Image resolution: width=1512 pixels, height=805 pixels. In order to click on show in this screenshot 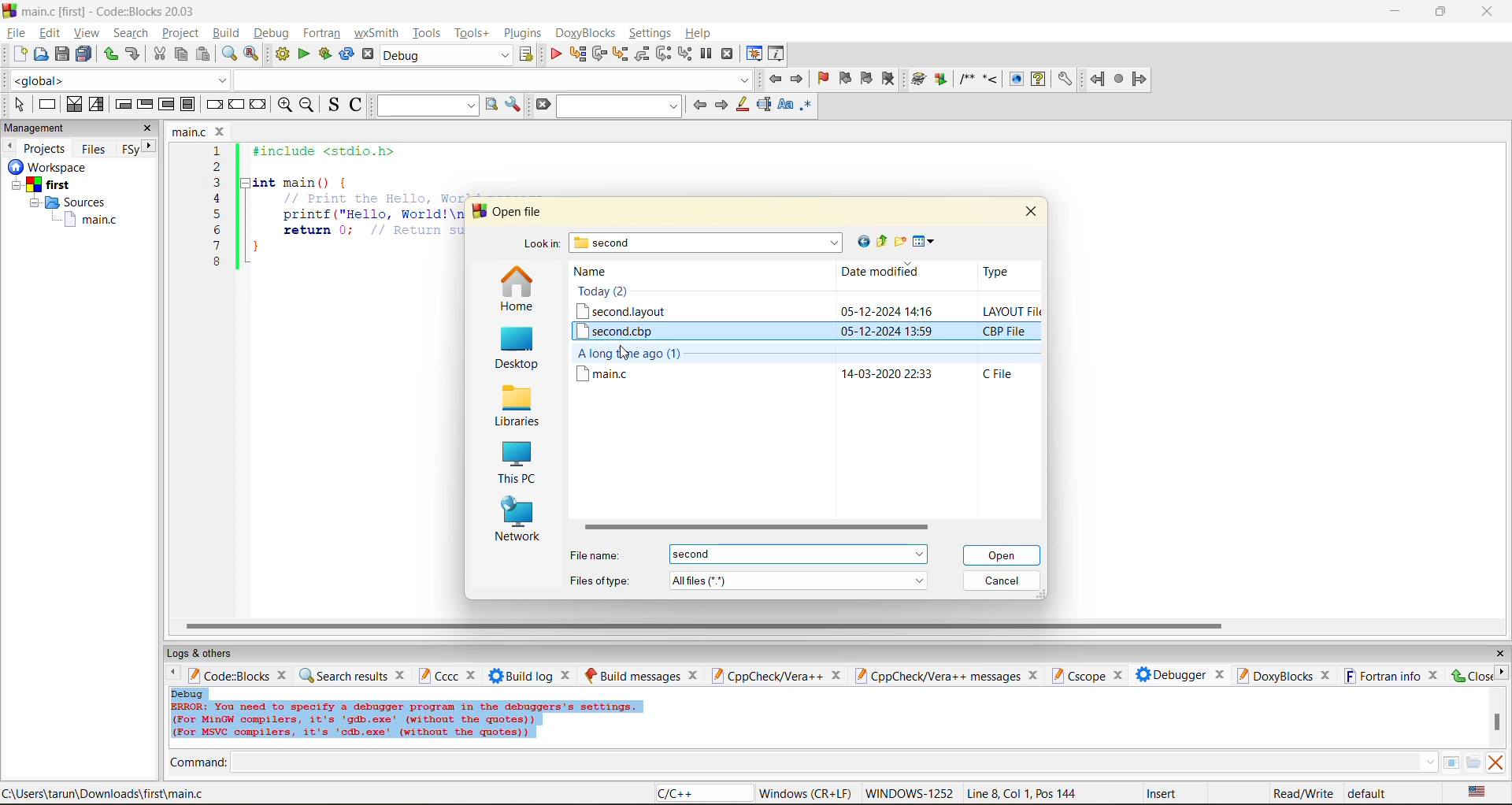, I will do `click(1014, 79)`.